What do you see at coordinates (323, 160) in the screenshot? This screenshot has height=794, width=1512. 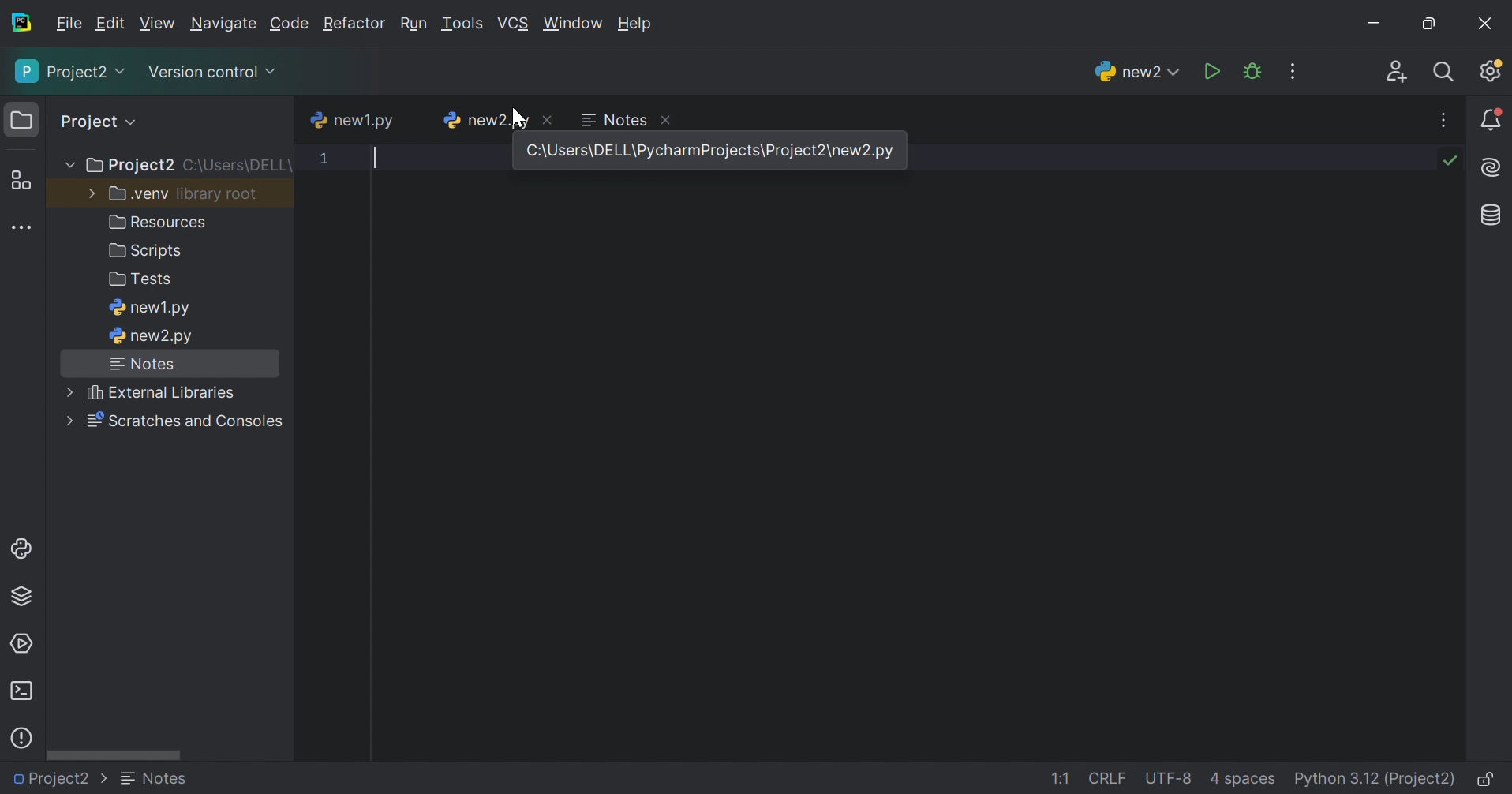 I see `1` at bounding box center [323, 160].